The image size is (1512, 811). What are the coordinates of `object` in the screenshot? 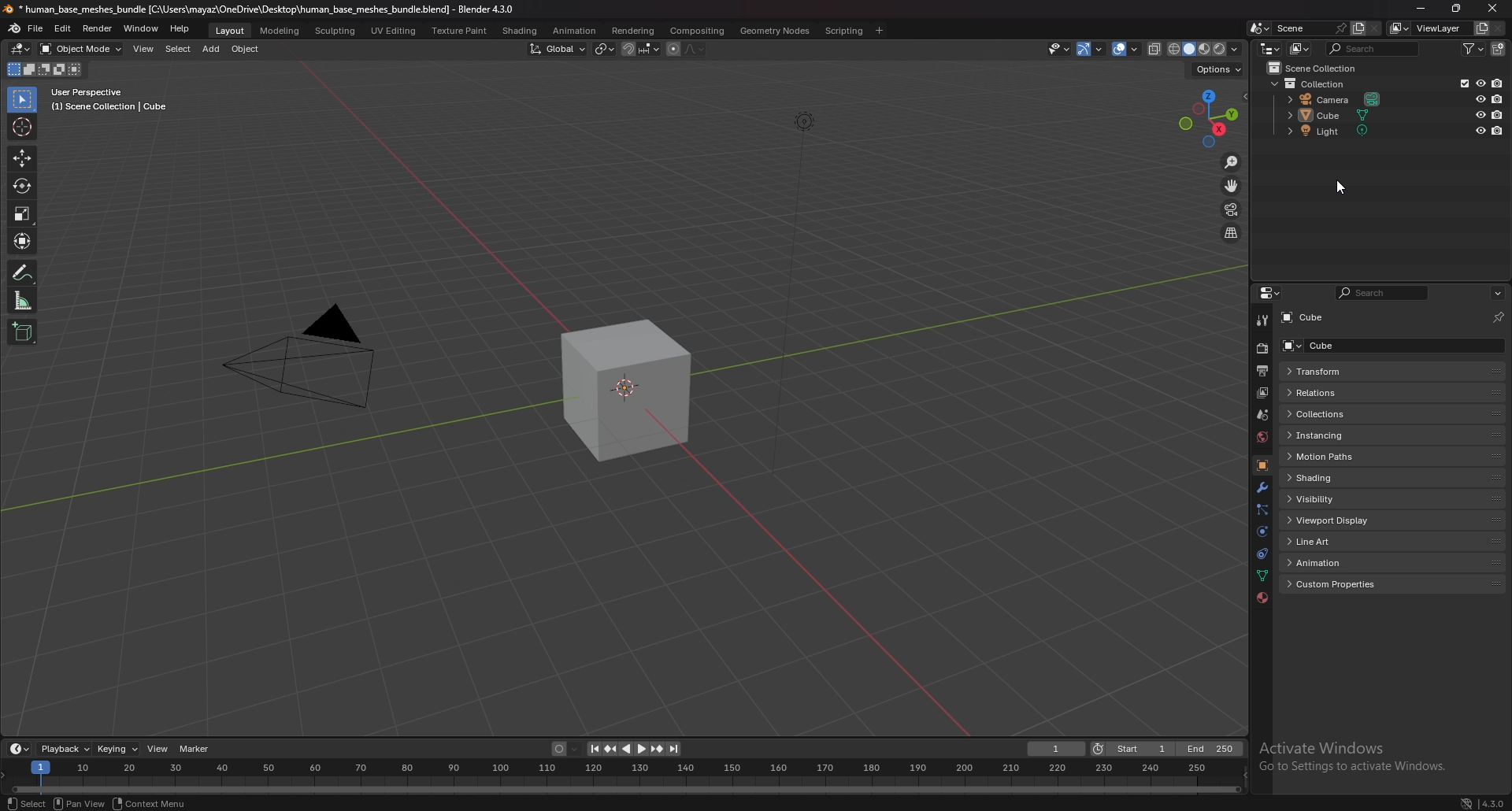 It's located at (246, 49).